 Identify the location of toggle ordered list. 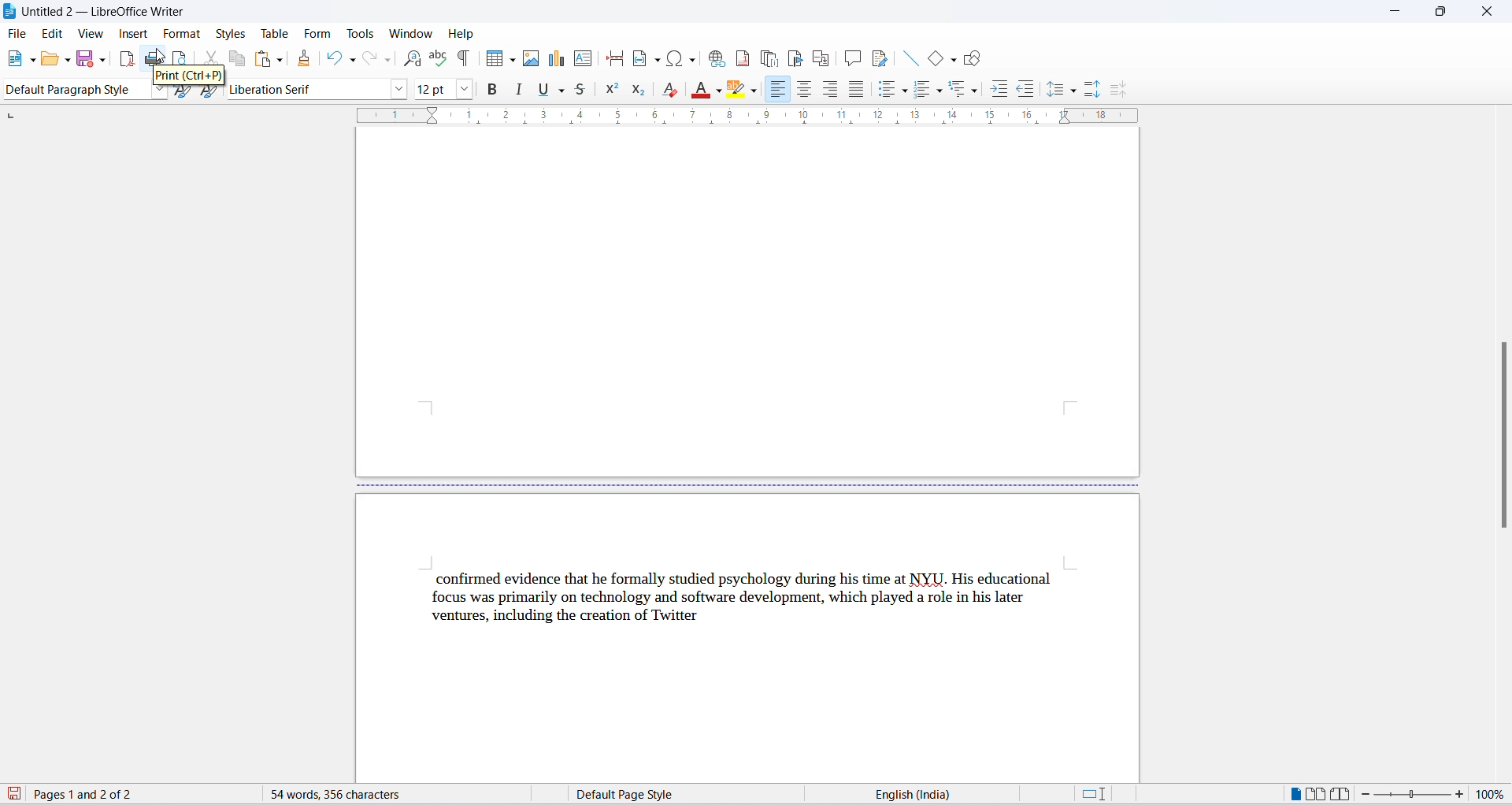
(923, 93).